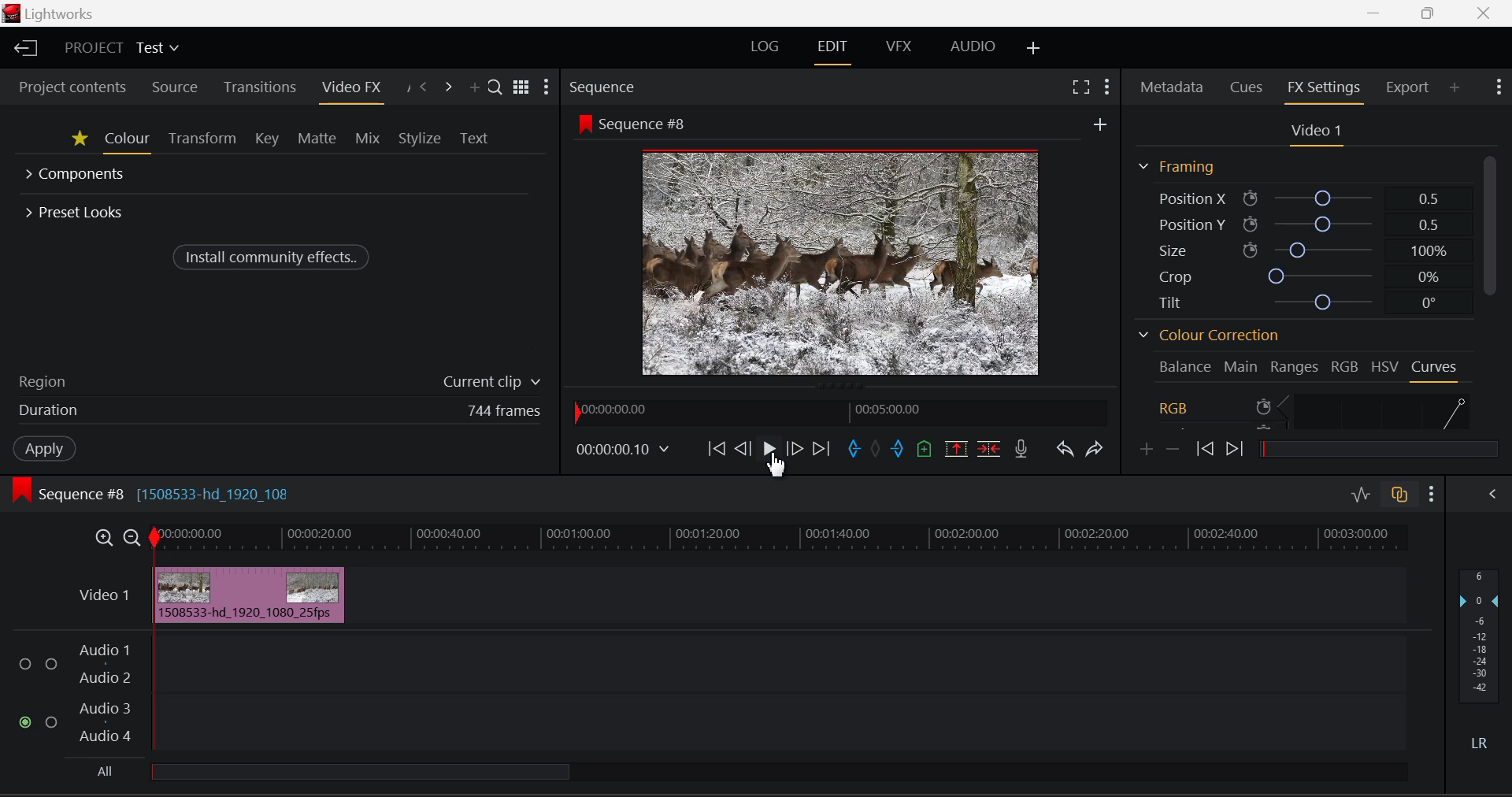  Describe the element at coordinates (1360, 495) in the screenshot. I see `Toggle Audio Levels Editing` at that location.